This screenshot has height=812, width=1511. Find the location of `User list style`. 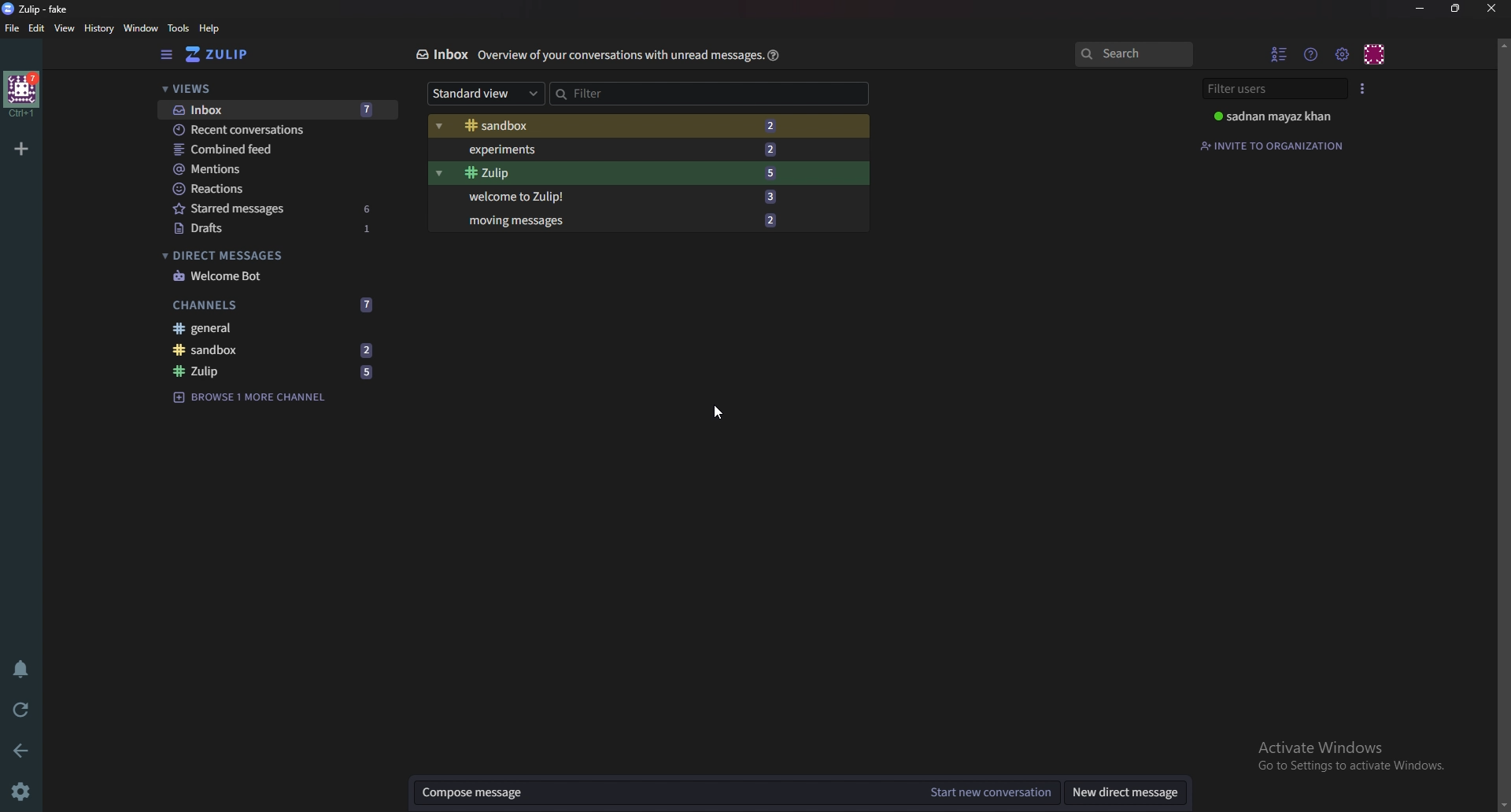

User list style is located at coordinates (1362, 88).